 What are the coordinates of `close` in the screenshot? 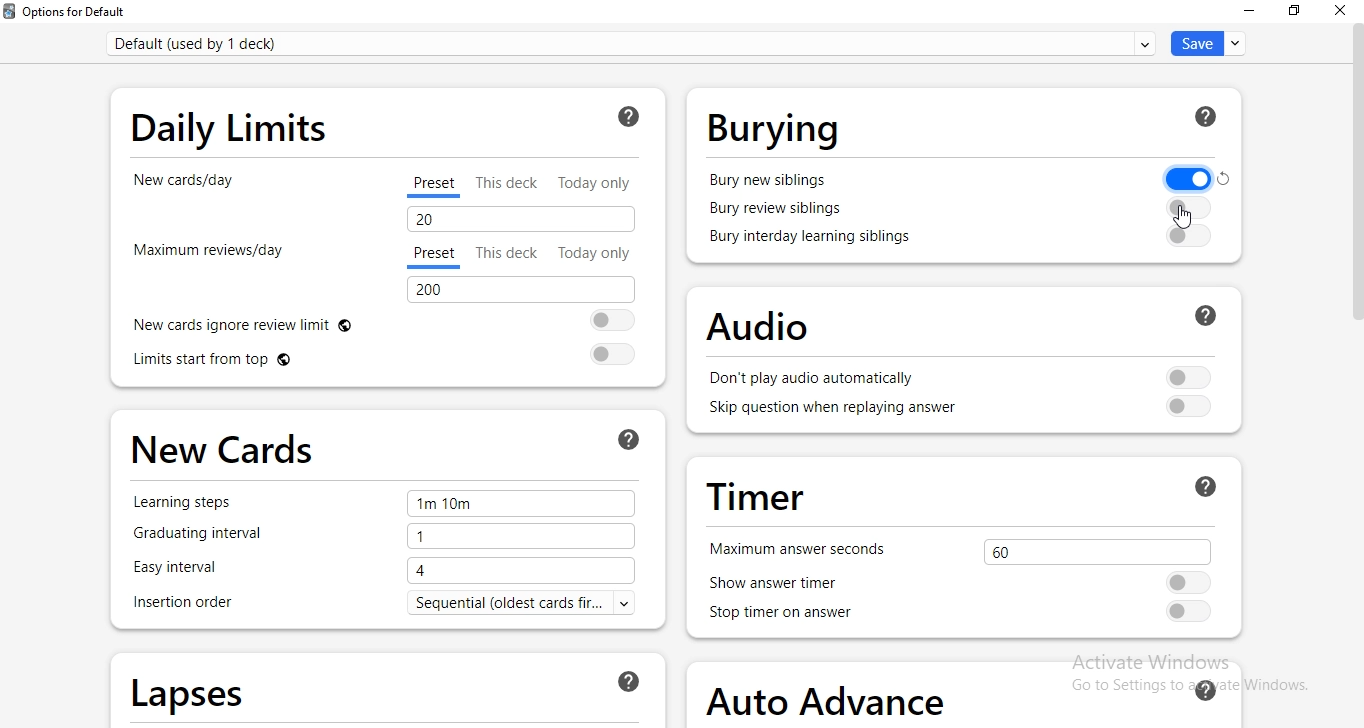 It's located at (1344, 14).